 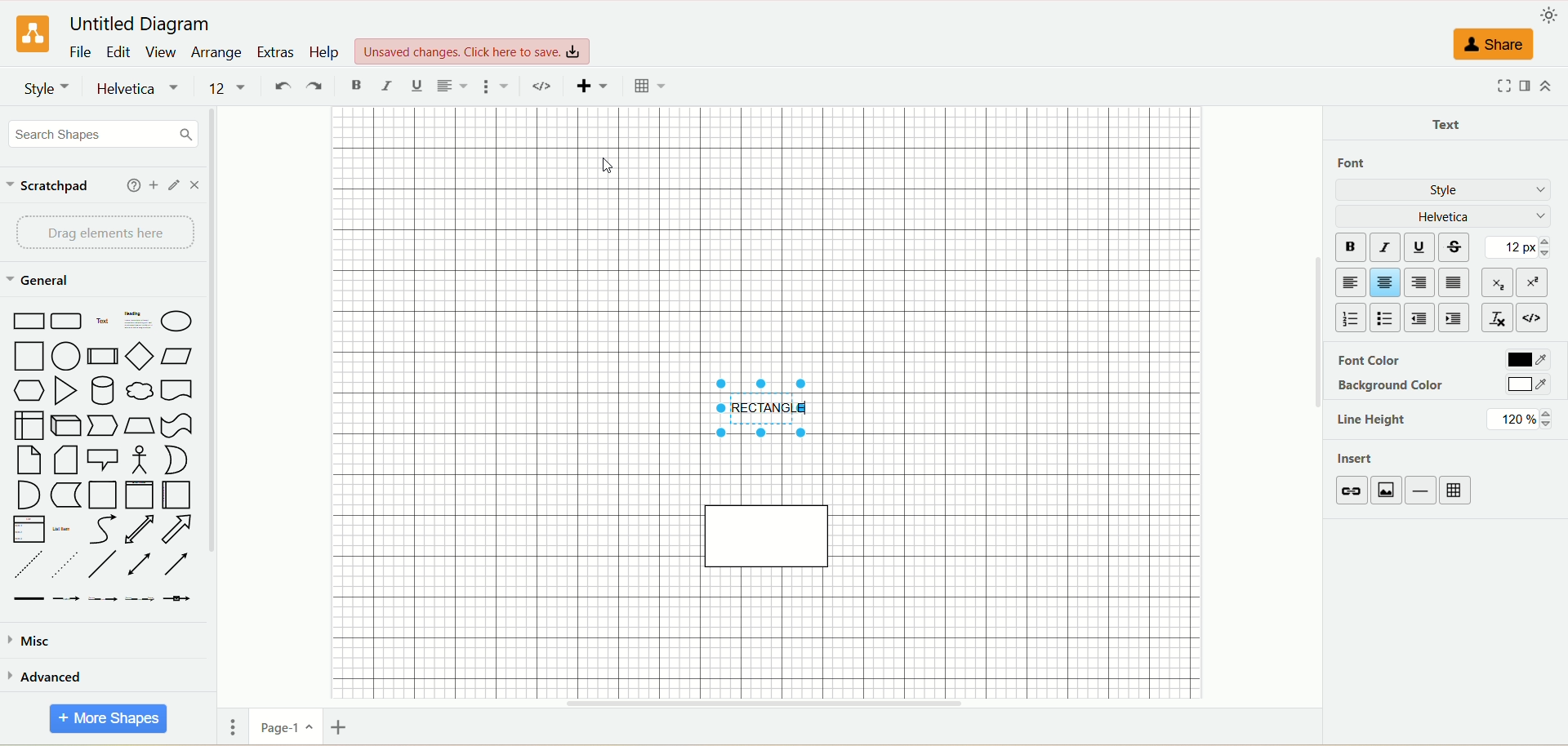 I want to click on curve arrow, so click(x=100, y=530).